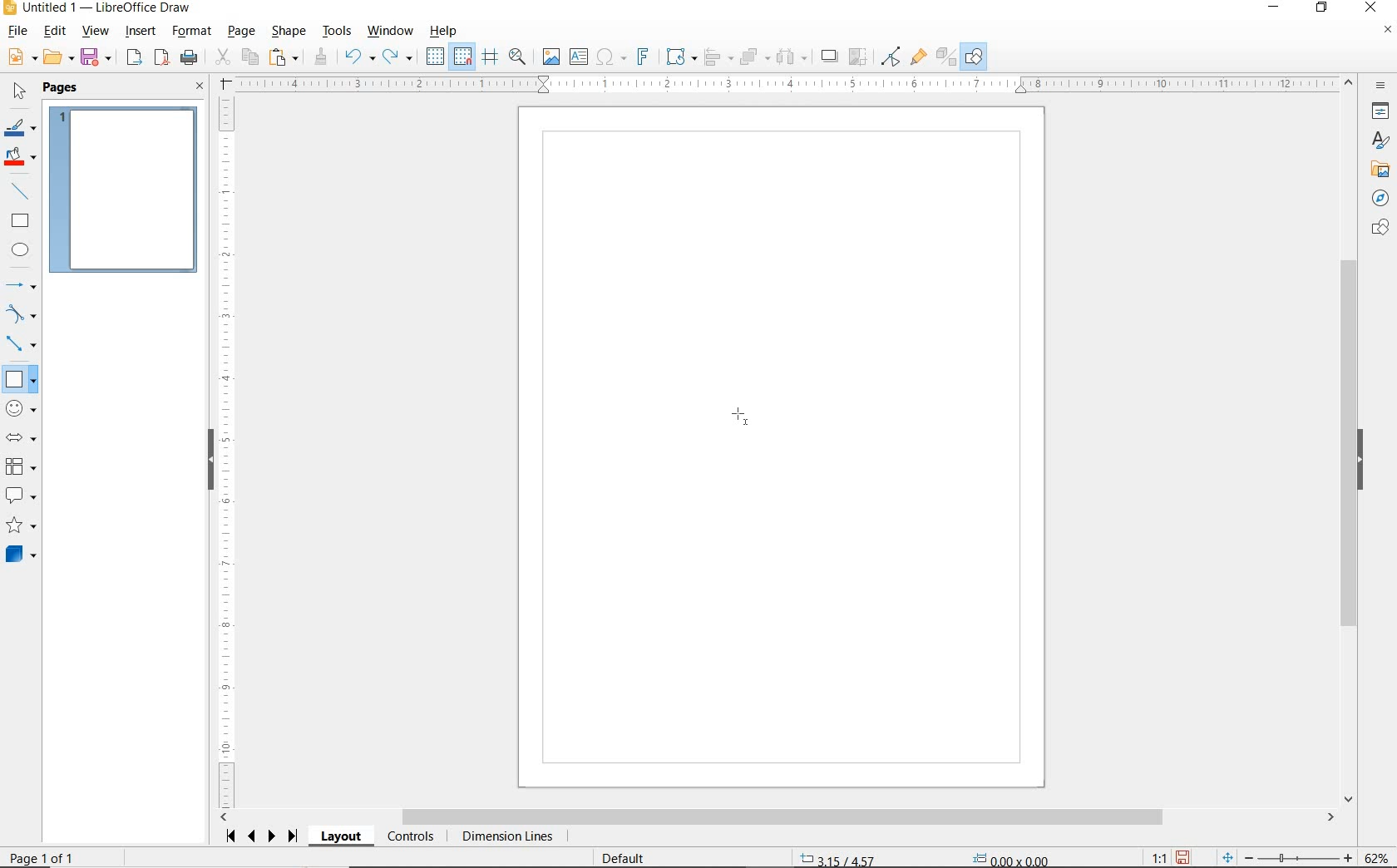 This screenshot has height=868, width=1397. What do you see at coordinates (343, 836) in the screenshot?
I see `LAYOUT` at bounding box center [343, 836].